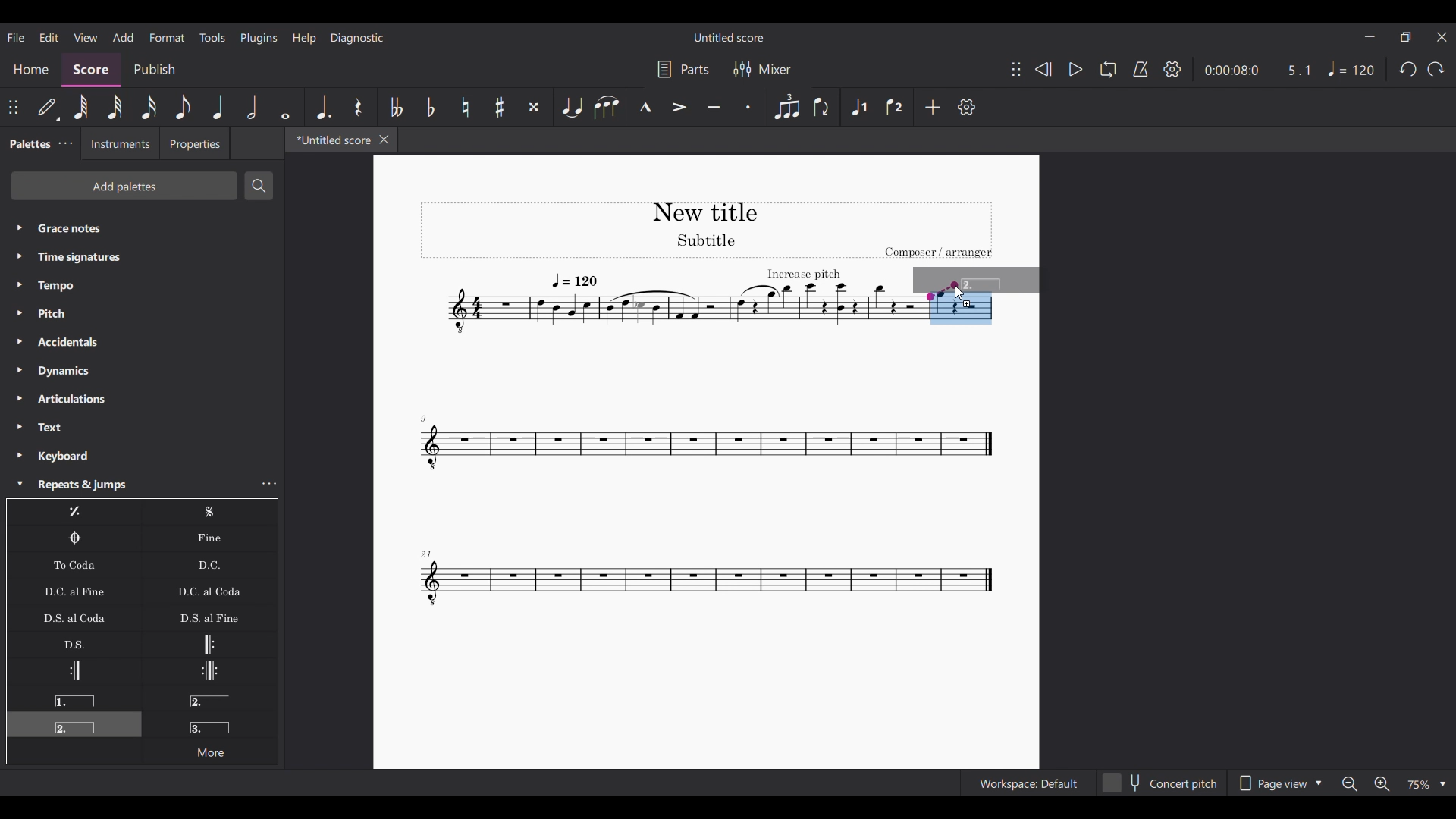 Image resolution: width=1456 pixels, height=819 pixels. What do you see at coordinates (942, 291) in the screenshot?
I see `Indicates point of contact` at bounding box center [942, 291].